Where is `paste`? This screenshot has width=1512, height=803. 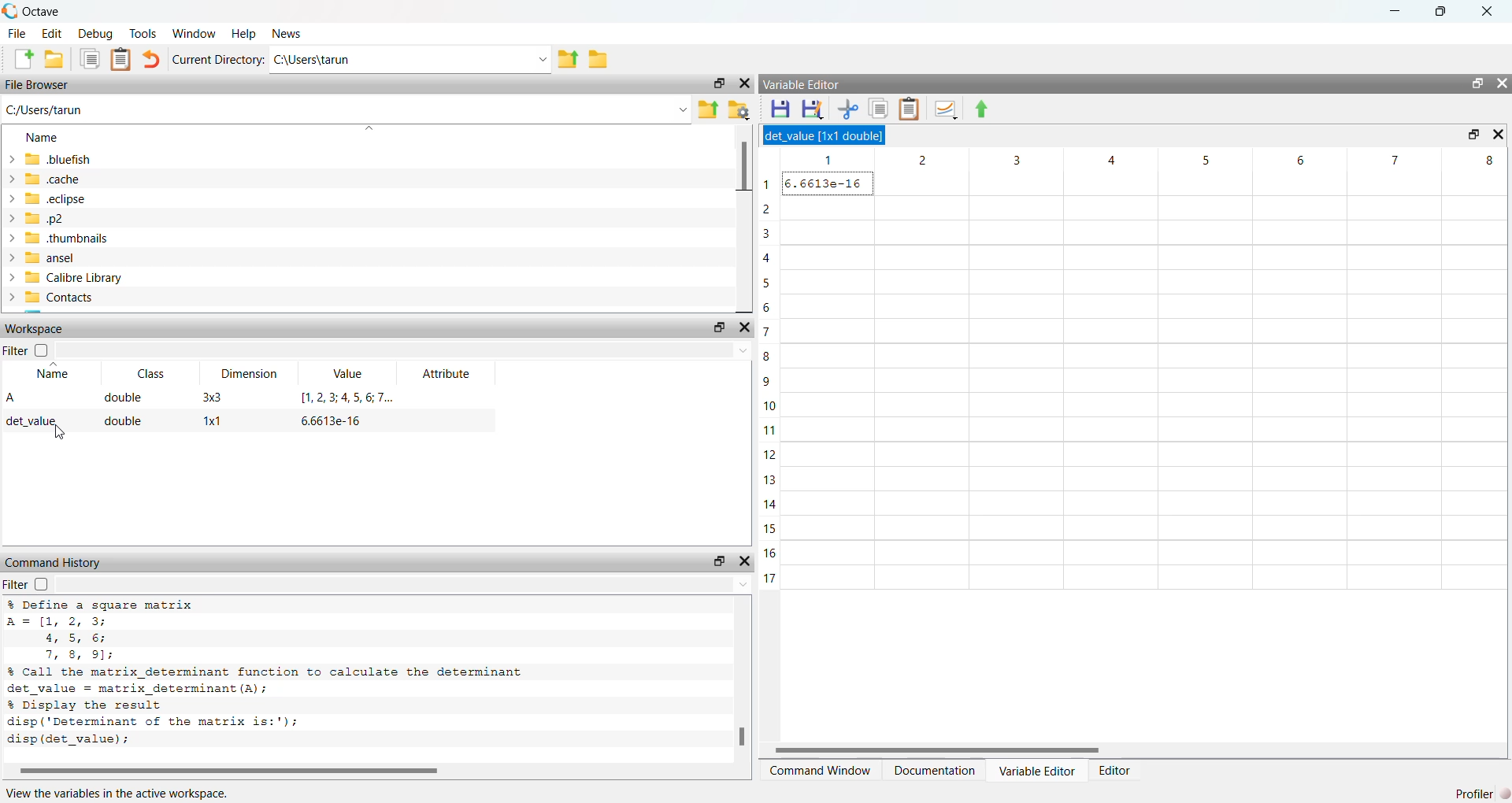
paste is located at coordinates (120, 60).